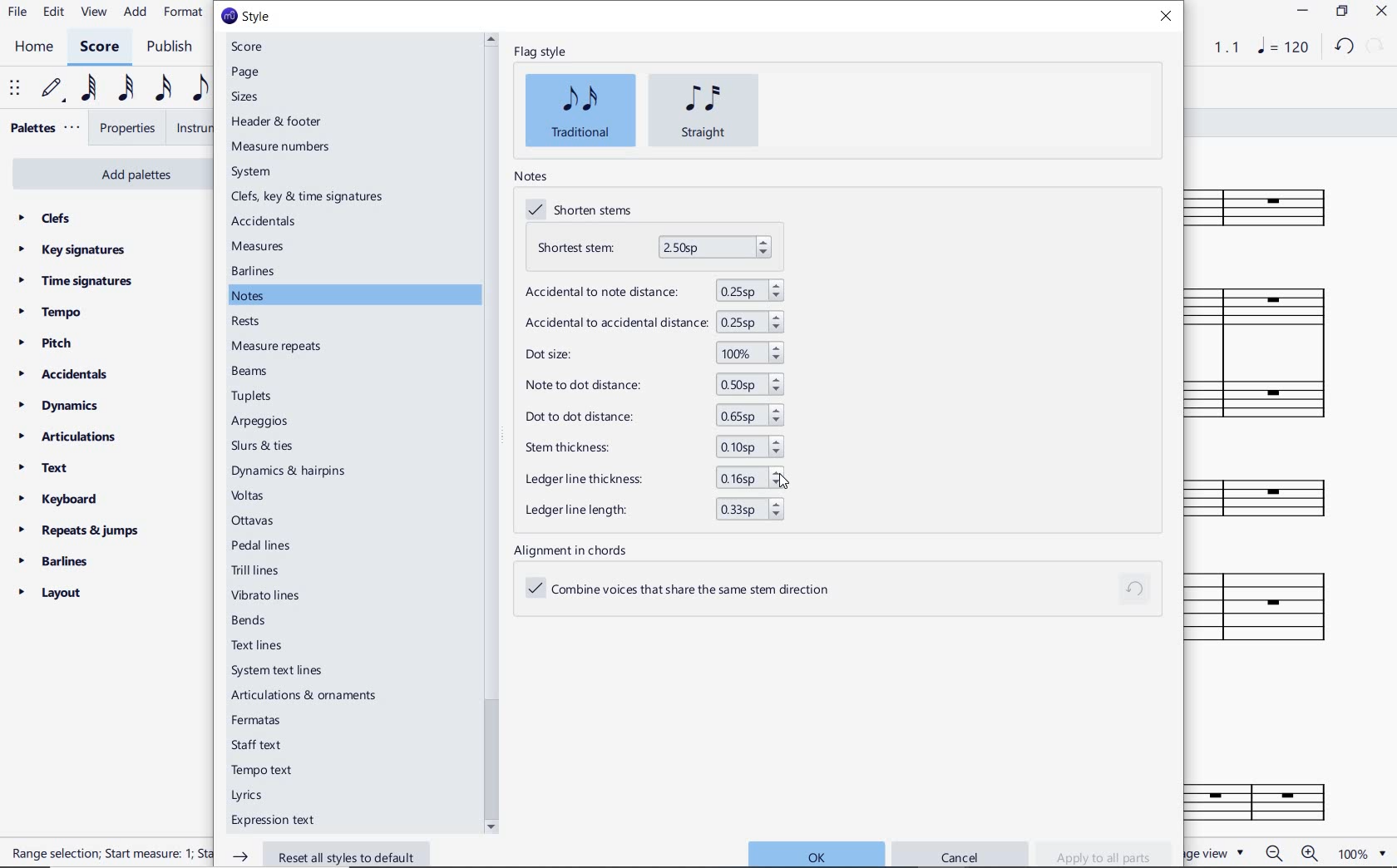 Image resolution: width=1397 pixels, height=868 pixels. I want to click on rests, so click(245, 319).